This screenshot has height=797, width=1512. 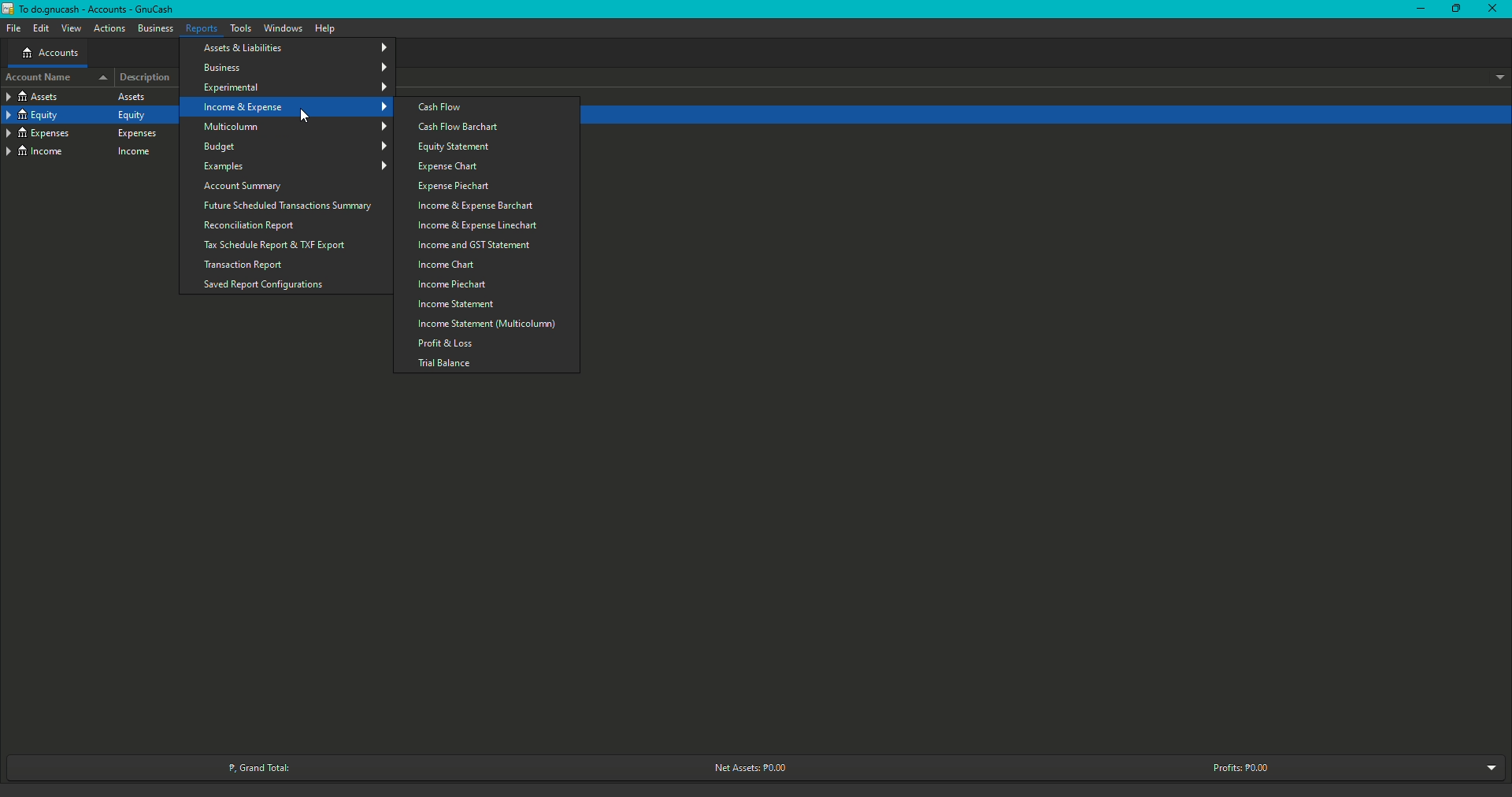 What do you see at coordinates (451, 168) in the screenshot?
I see `Expense Chart` at bounding box center [451, 168].